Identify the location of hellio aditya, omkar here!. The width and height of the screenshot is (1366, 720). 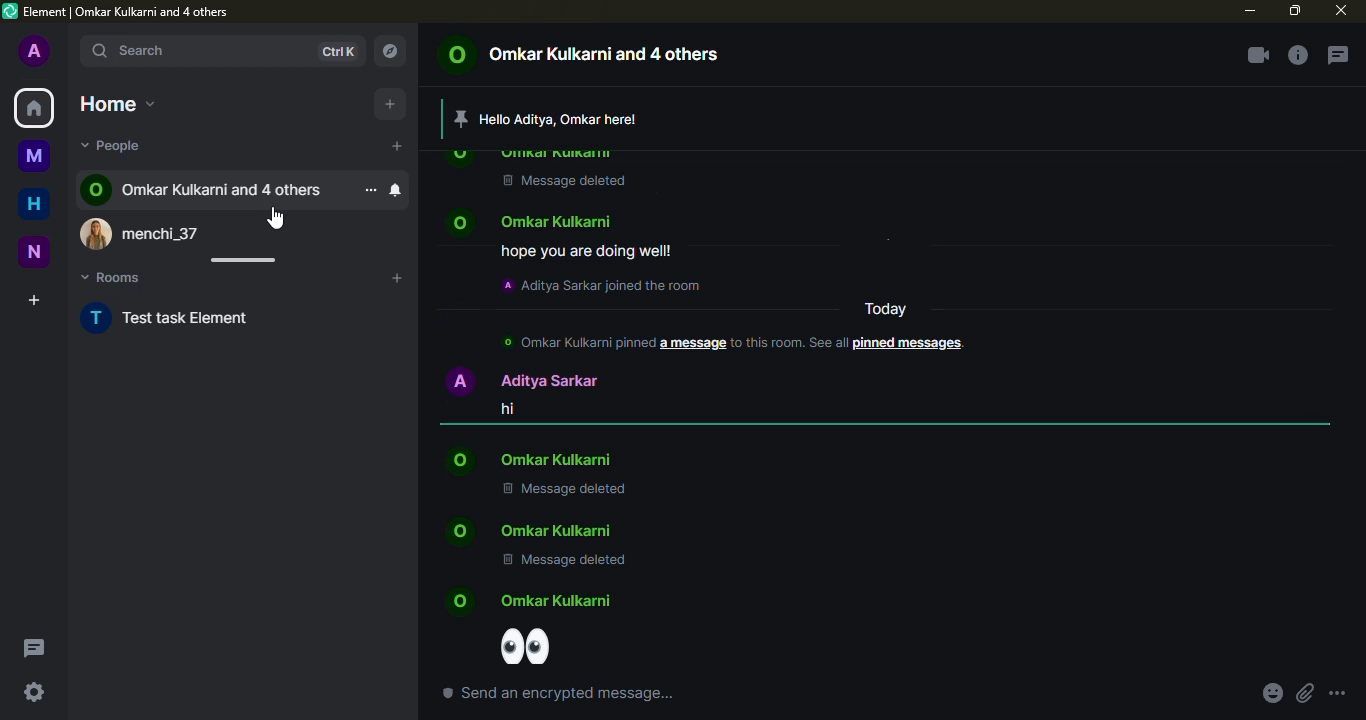
(562, 119).